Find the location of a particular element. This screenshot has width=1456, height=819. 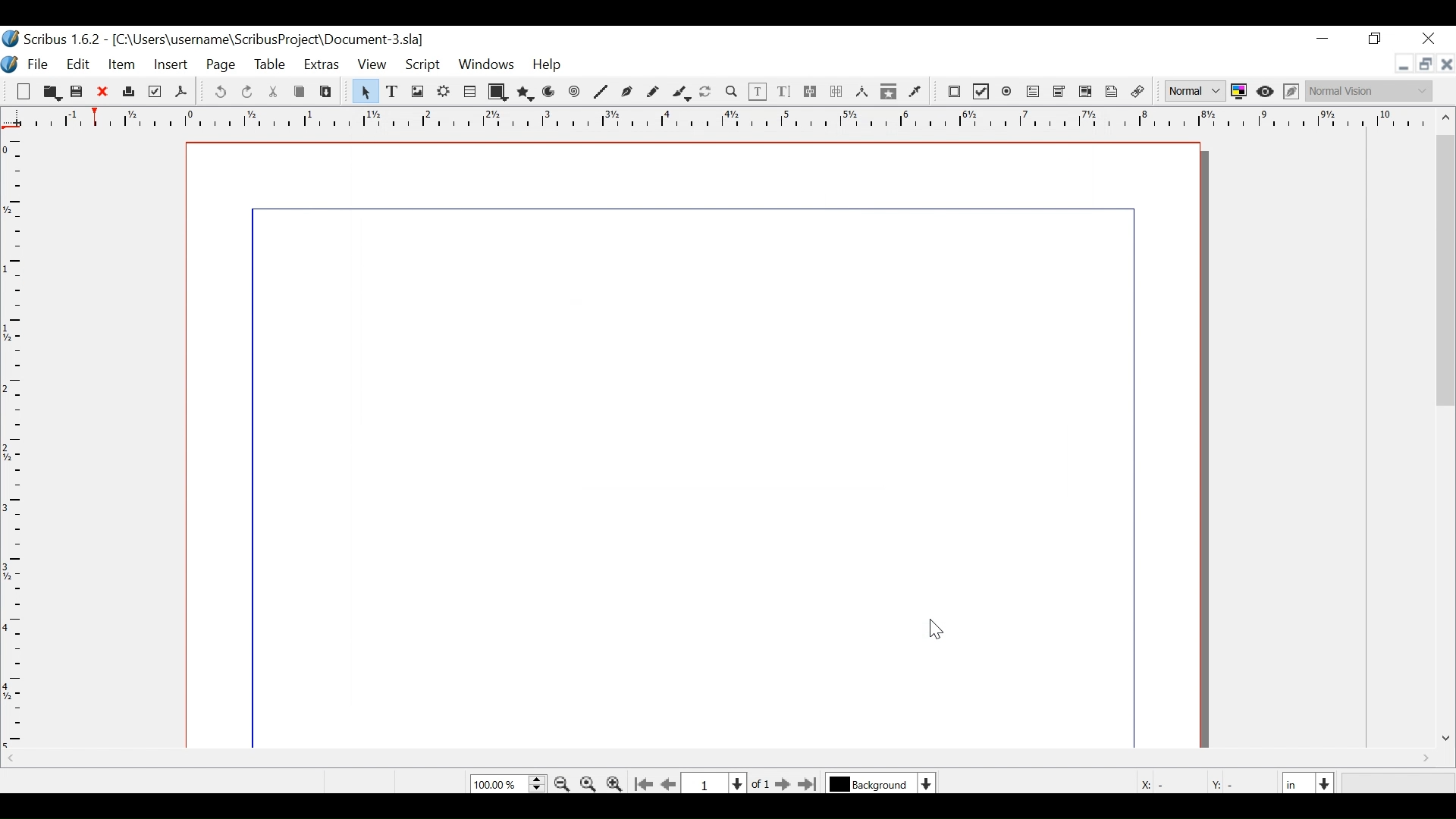

Undo  is located at coordinates (221, 93).